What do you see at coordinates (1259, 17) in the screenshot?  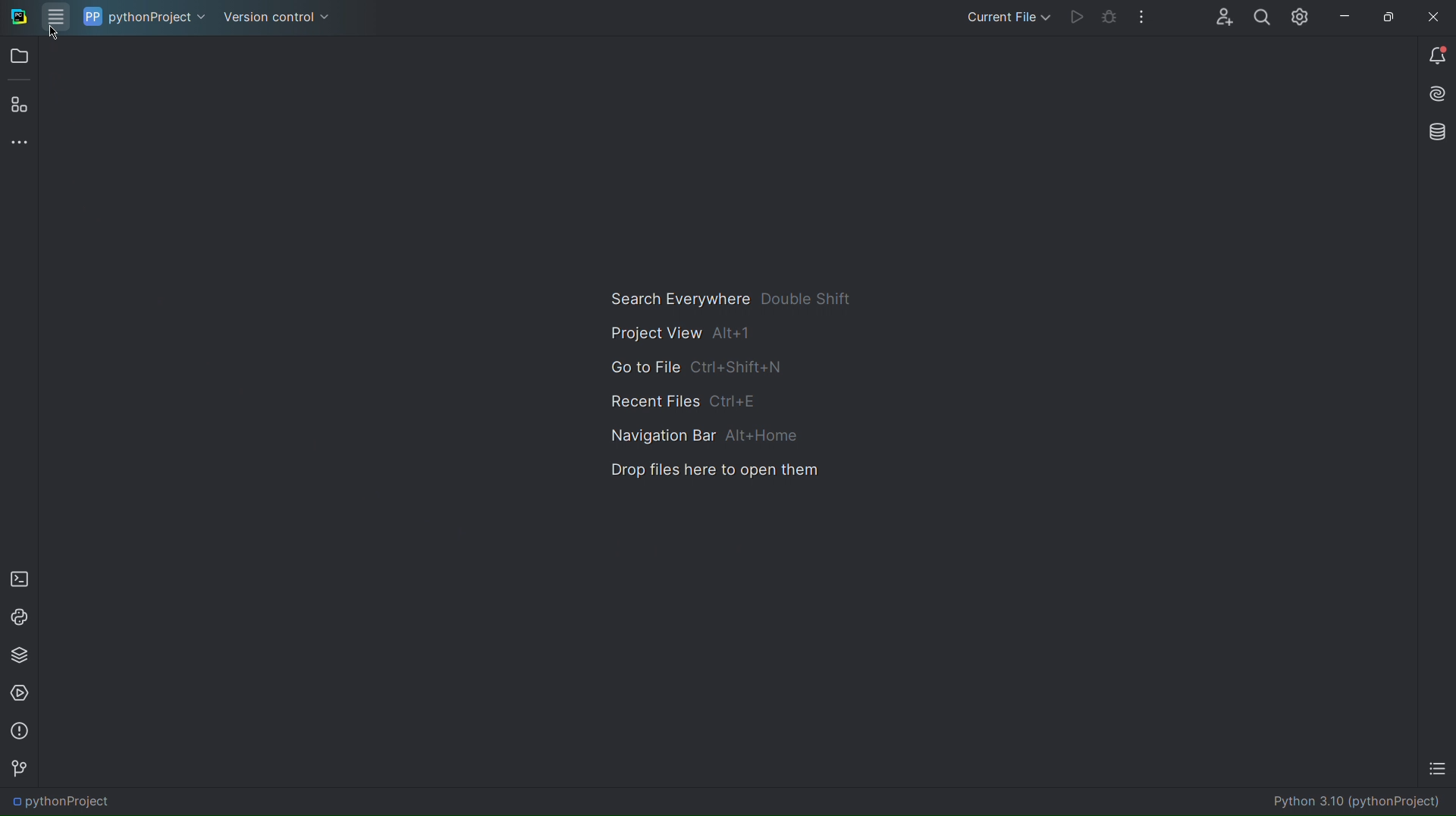 I see `Search` at bounding box center [1259, 17].